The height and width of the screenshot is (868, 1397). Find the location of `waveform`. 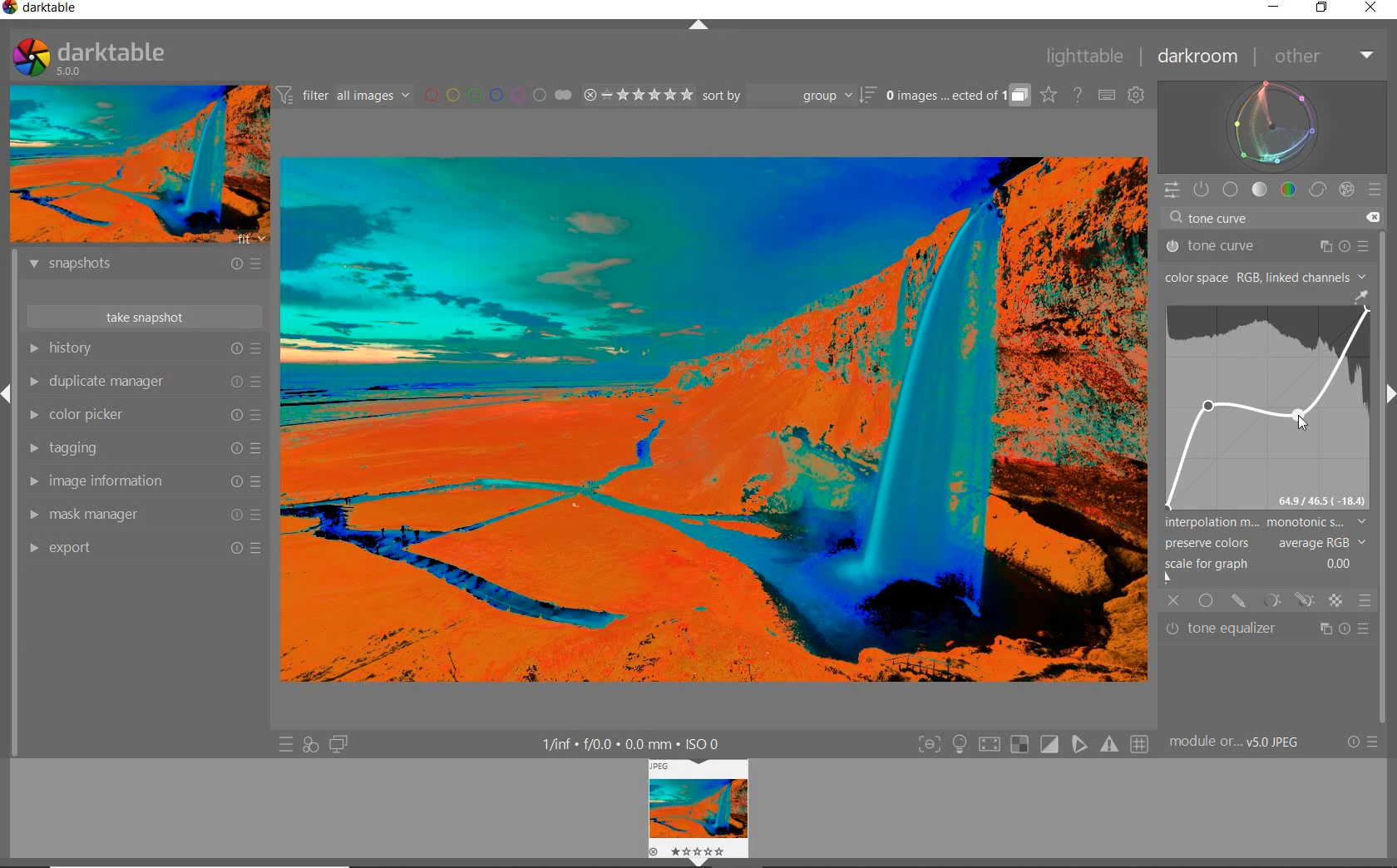

waveform is located at coordinates (1273, 126).